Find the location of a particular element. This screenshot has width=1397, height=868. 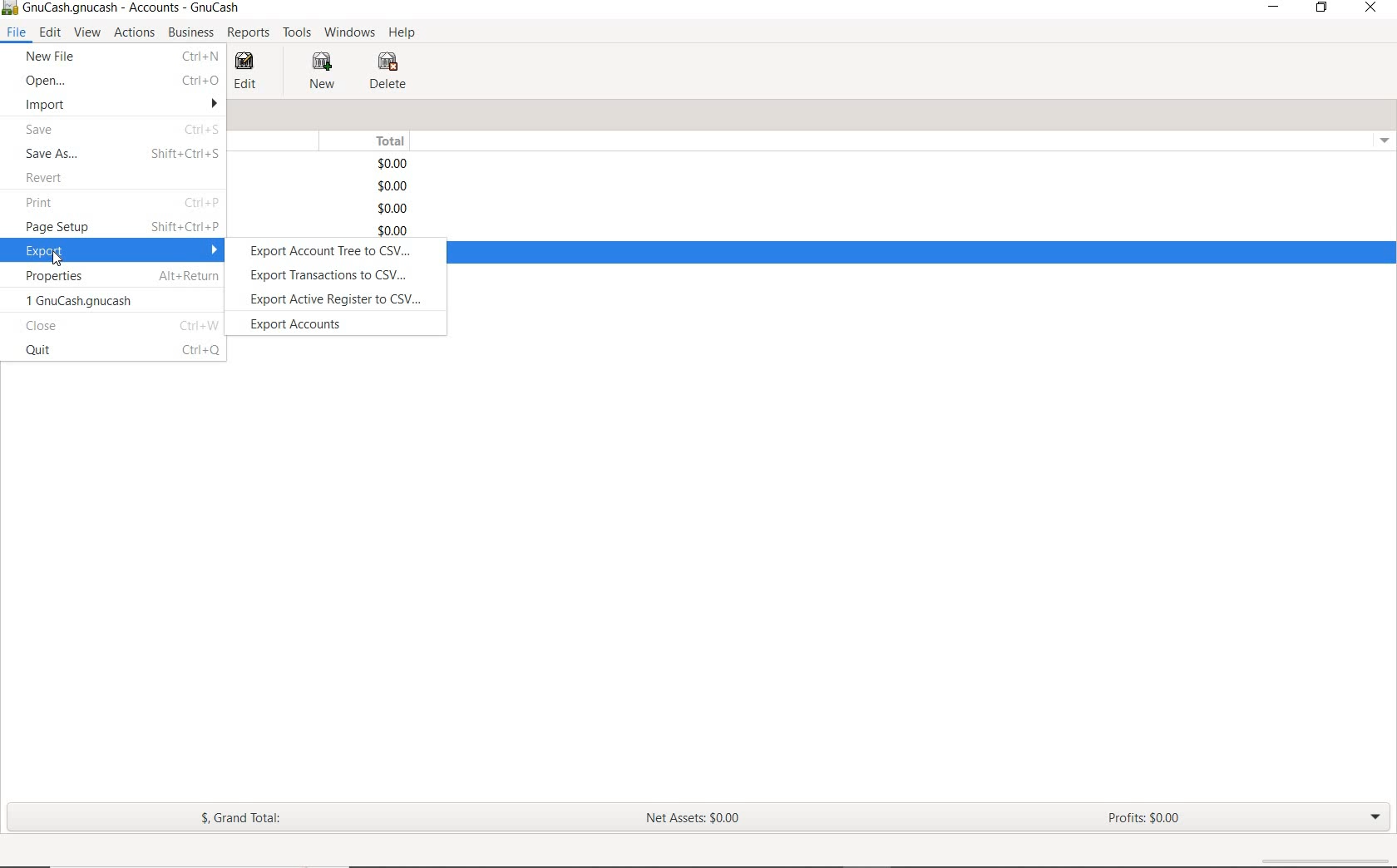

Ctrl+W is located at coordinates (197, 325).